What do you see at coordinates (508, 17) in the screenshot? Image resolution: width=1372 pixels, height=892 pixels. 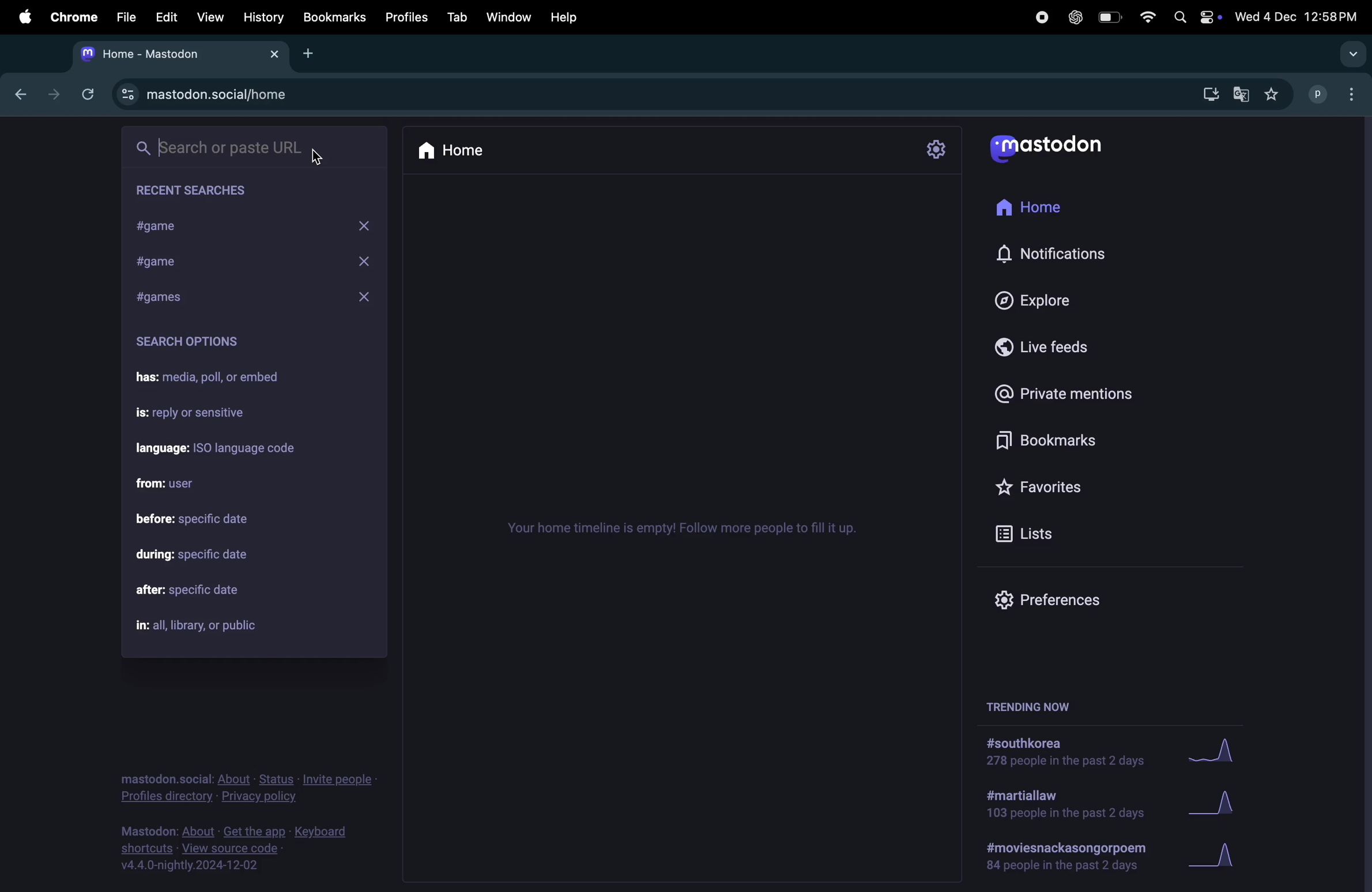 I see `Window` at bounding box center [508, 17].